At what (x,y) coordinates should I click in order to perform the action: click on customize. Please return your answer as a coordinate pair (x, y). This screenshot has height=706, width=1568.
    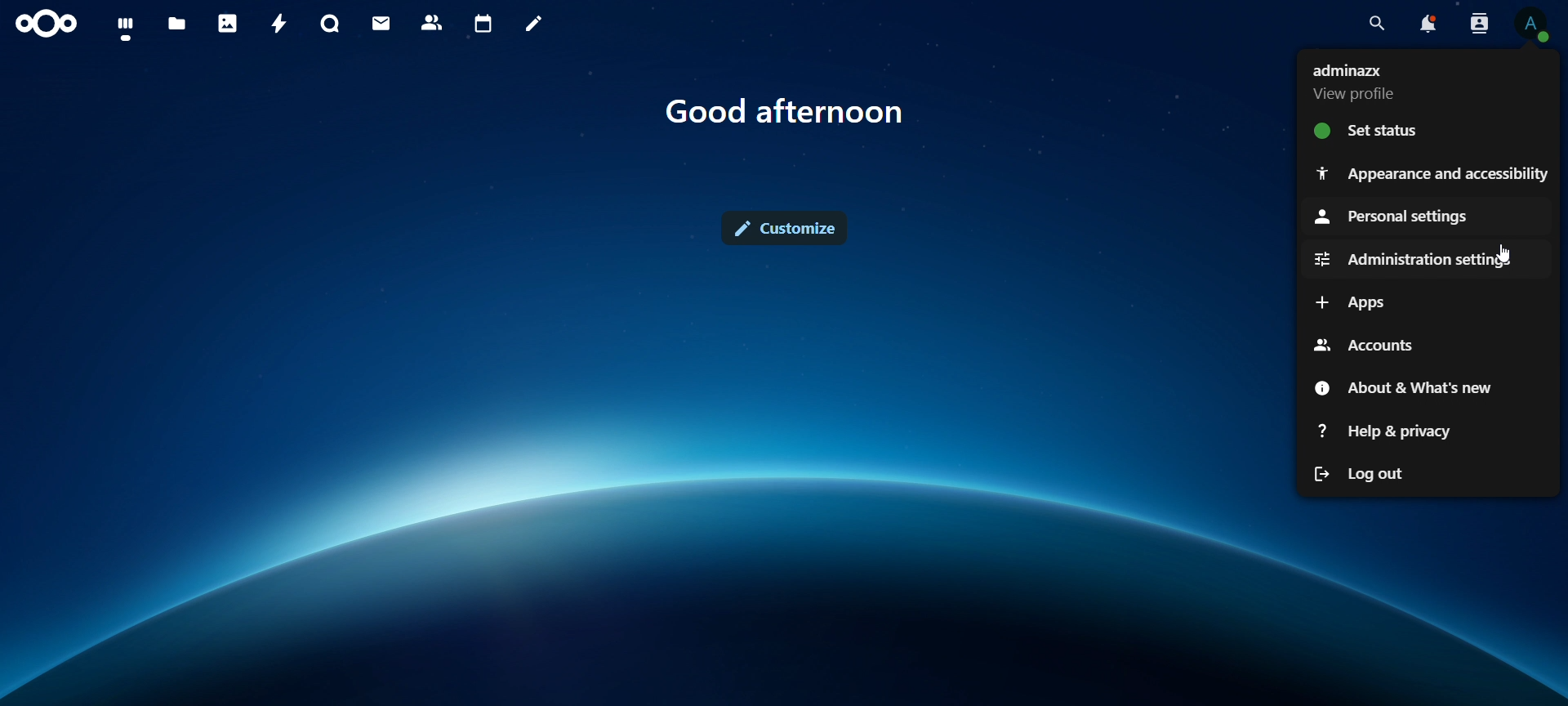
    Looking at the image, I should click on (783, 227).